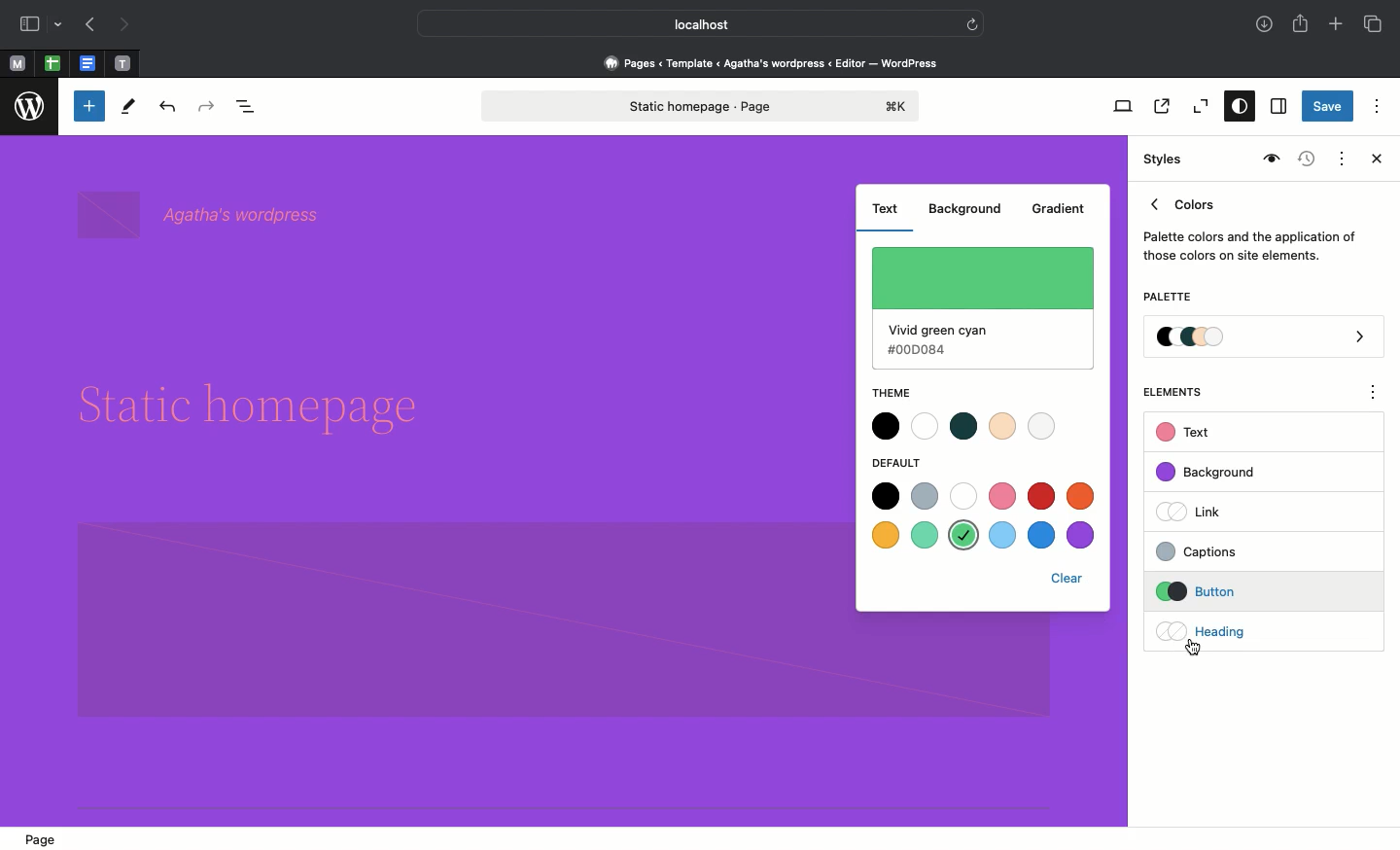  I want to click on Redo, so click(209, 107).